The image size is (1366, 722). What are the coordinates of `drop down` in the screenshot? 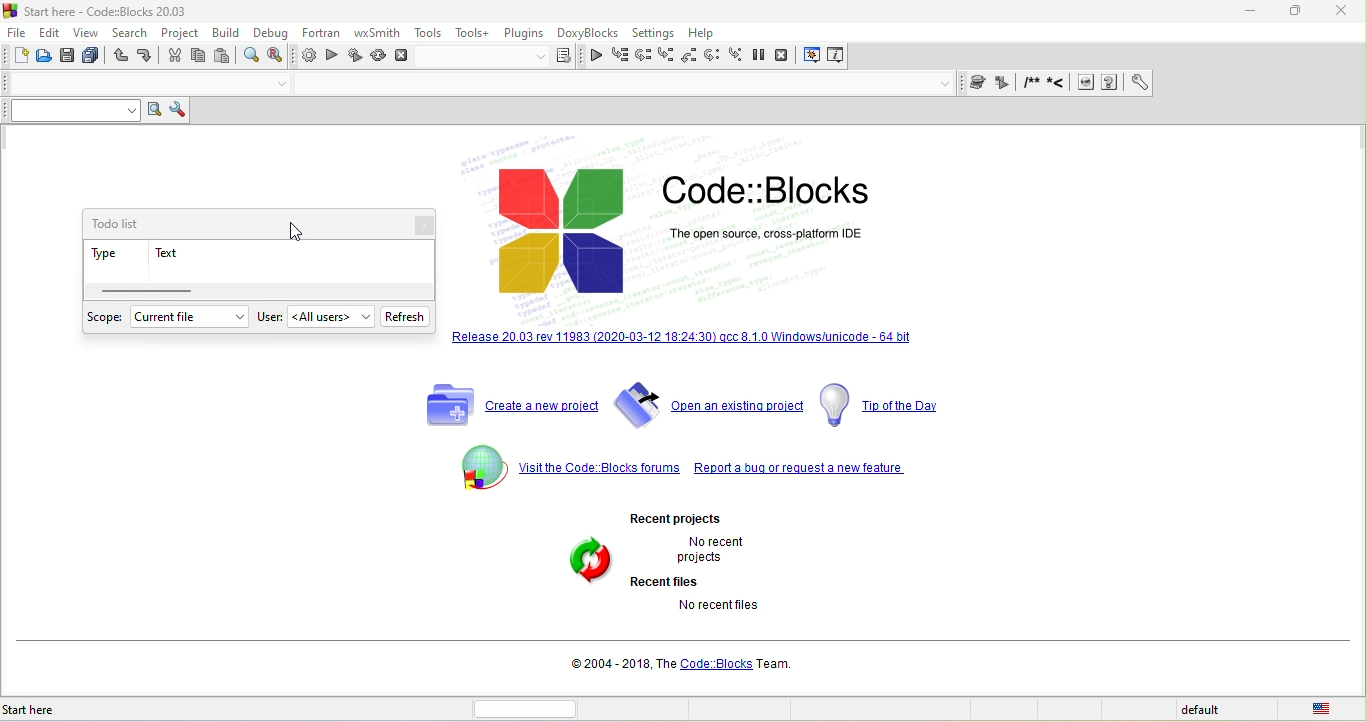 It's located at (281, 85).